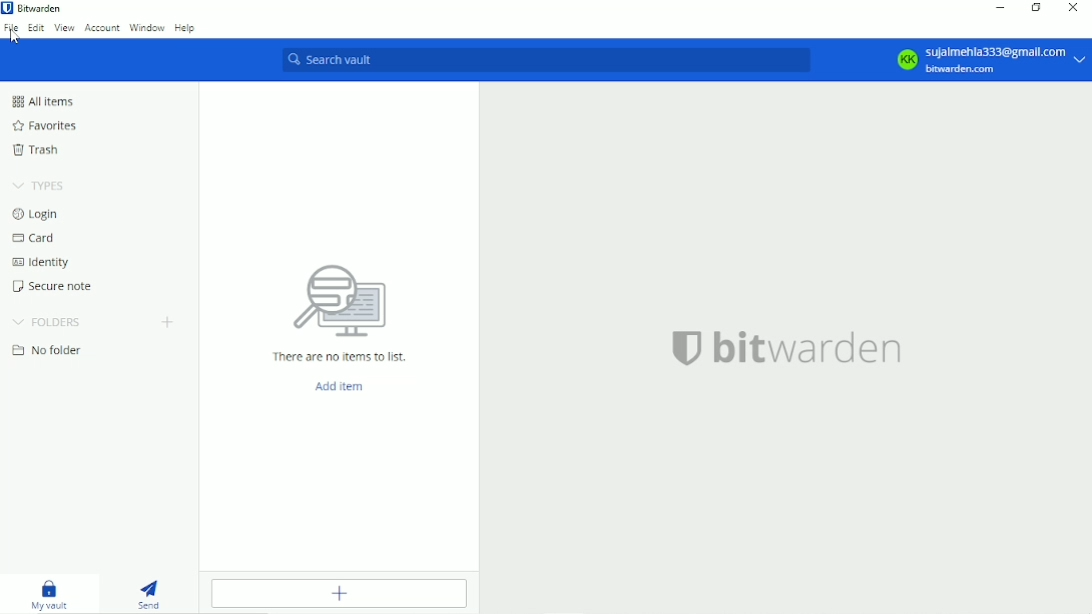  What do you see at coordinates (41, 185) in the screenshot?
I see `Types` at bounding box center [41, 185].